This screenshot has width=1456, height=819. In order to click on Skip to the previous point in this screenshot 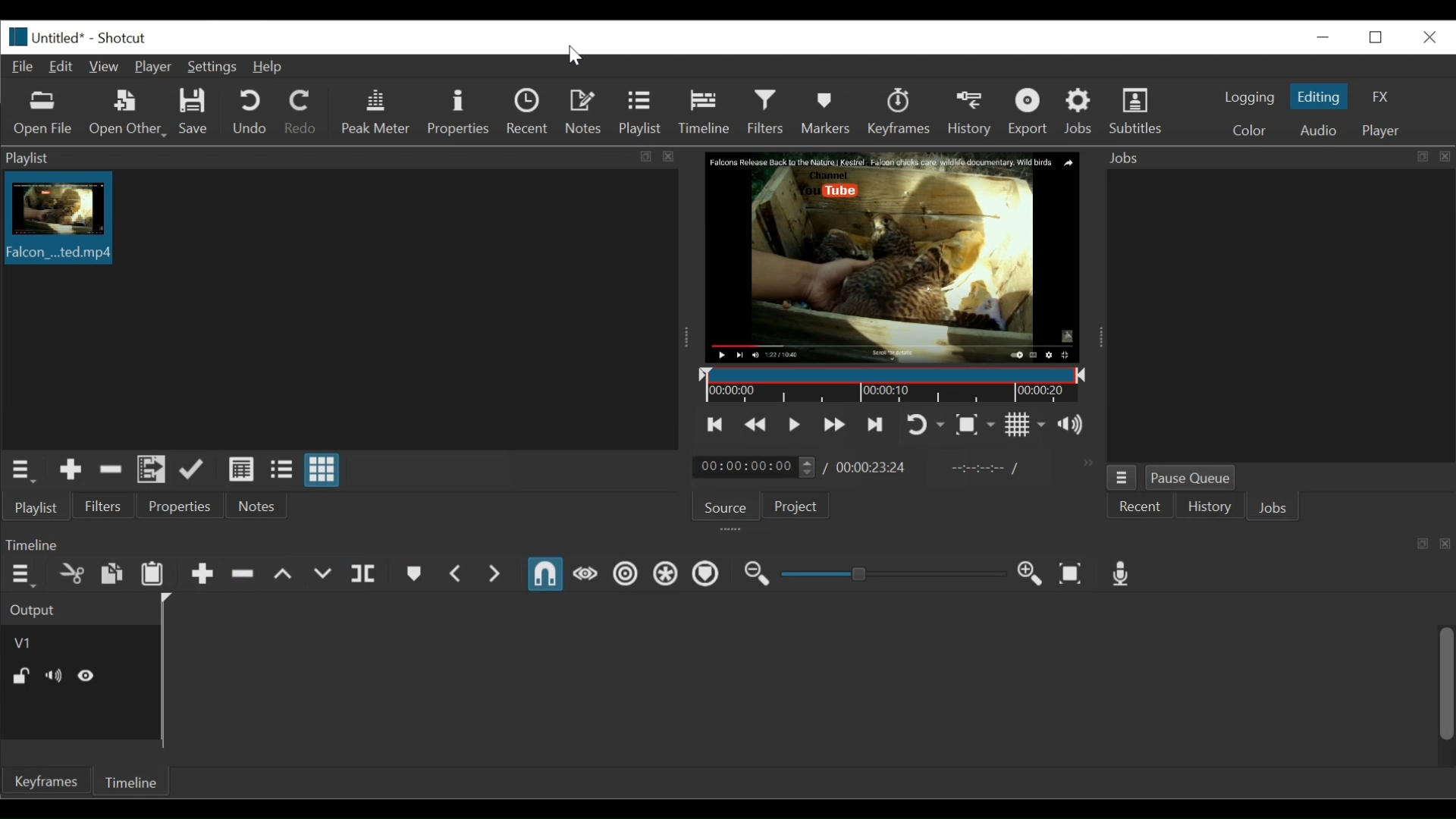, I will do `click(716, 424)`.